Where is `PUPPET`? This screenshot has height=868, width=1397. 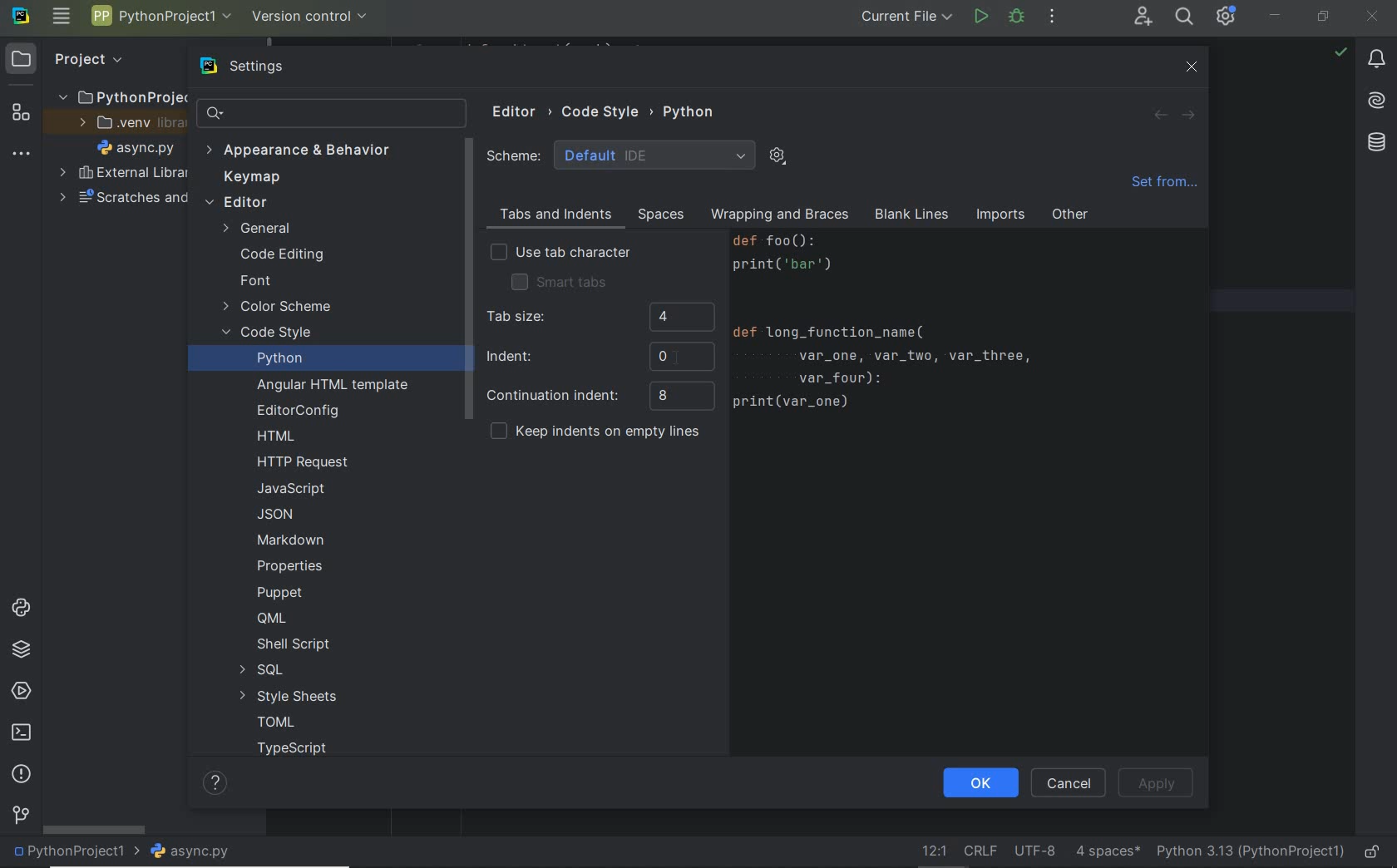
PUPPET is located at coordinates (283, 592).